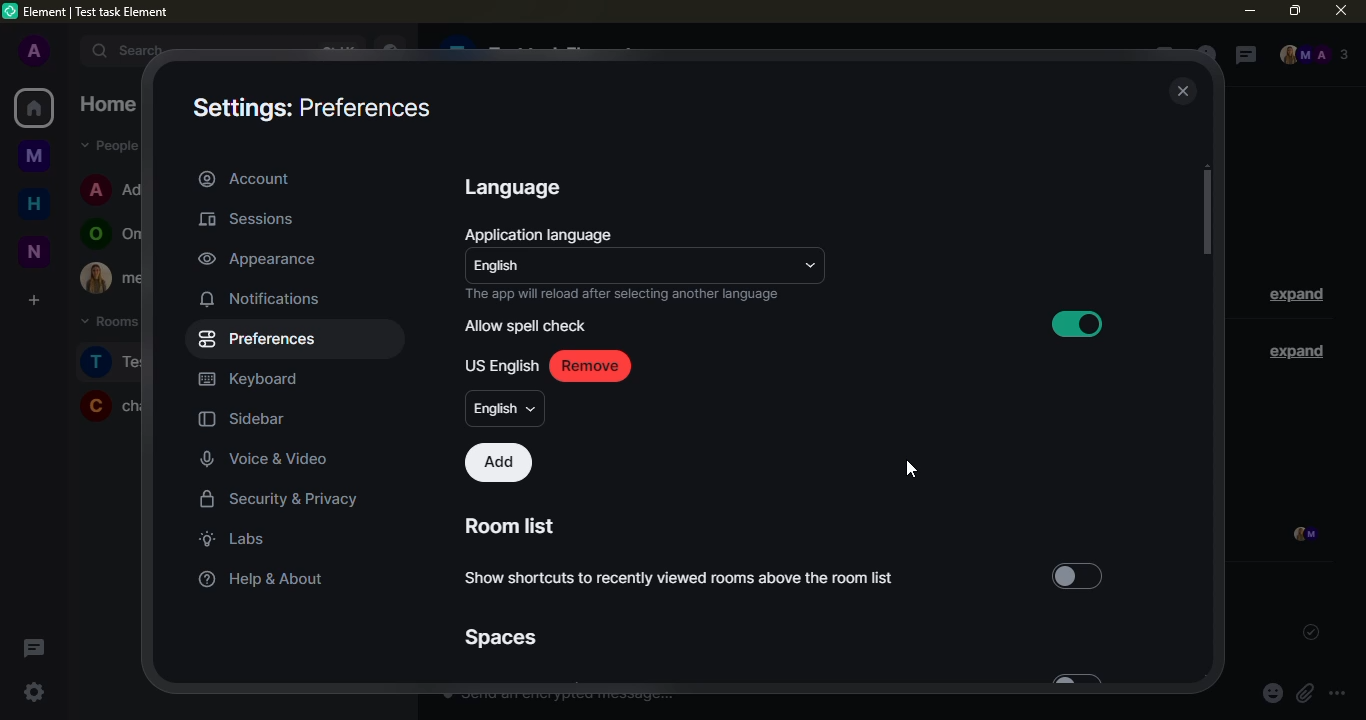  I want to click on labs, so click(232, 538).